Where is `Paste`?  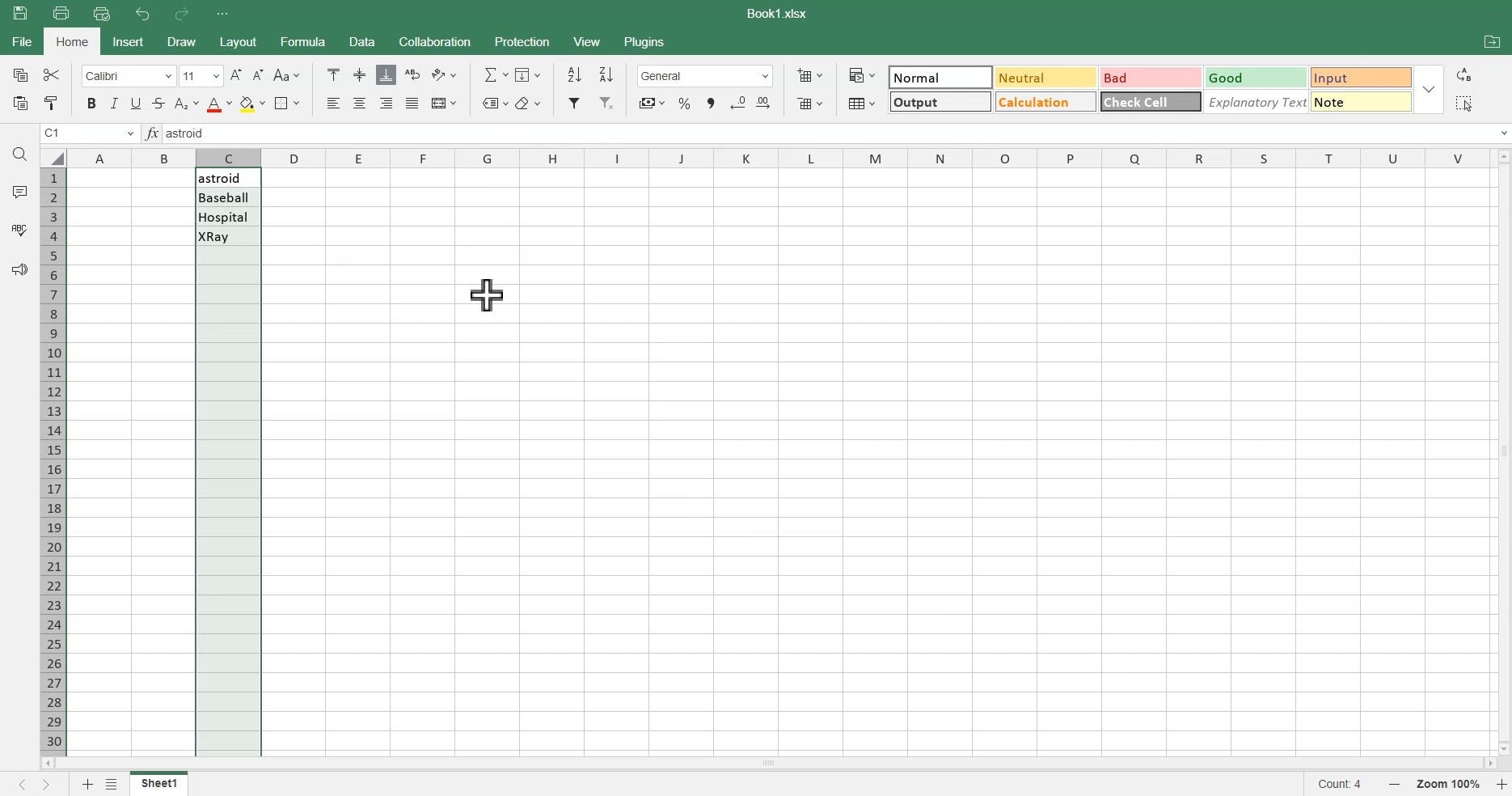
Paste is located at coordinates (23, 13).